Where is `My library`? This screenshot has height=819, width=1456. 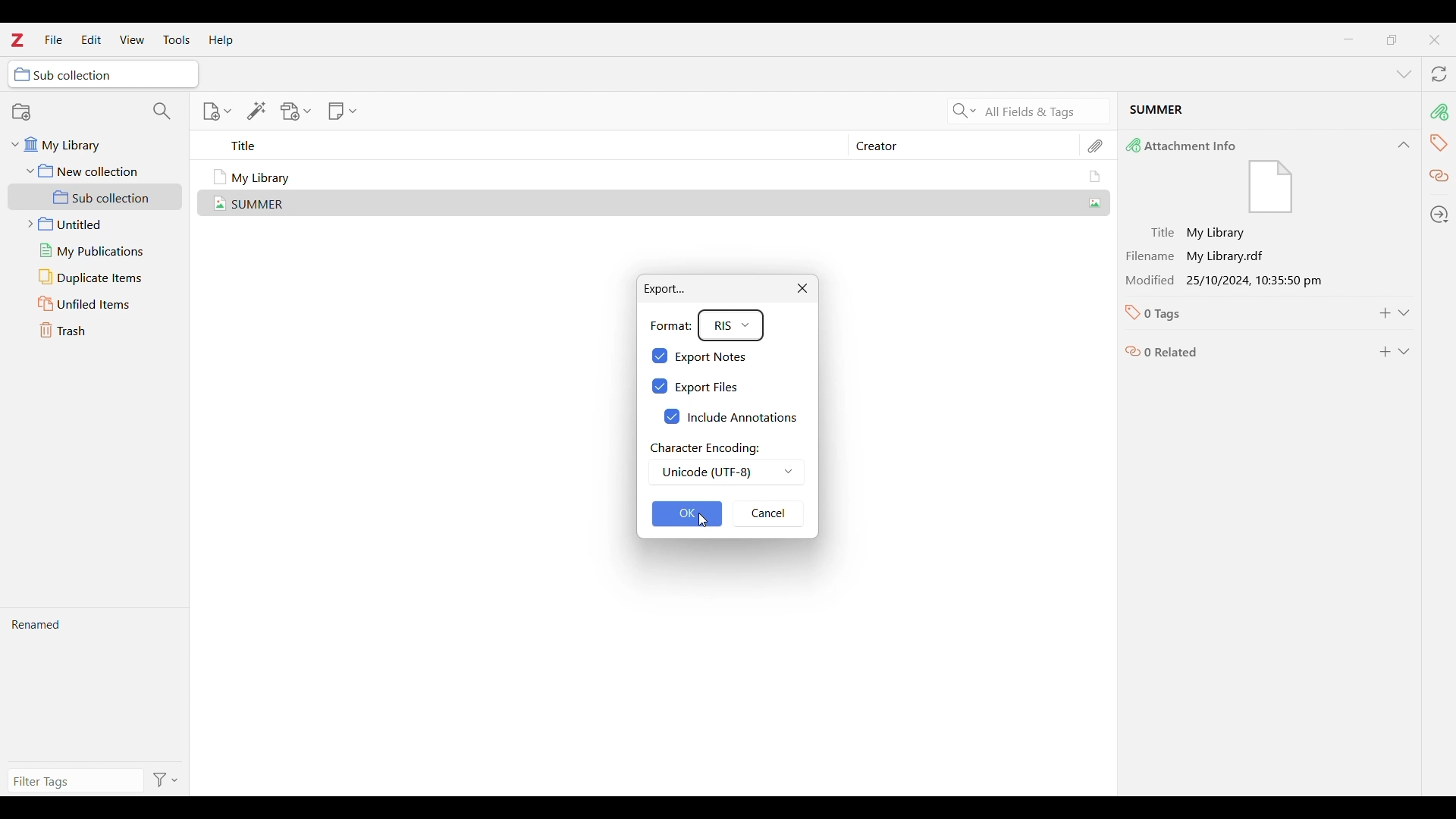 My library is located at coordinates (87, 145).